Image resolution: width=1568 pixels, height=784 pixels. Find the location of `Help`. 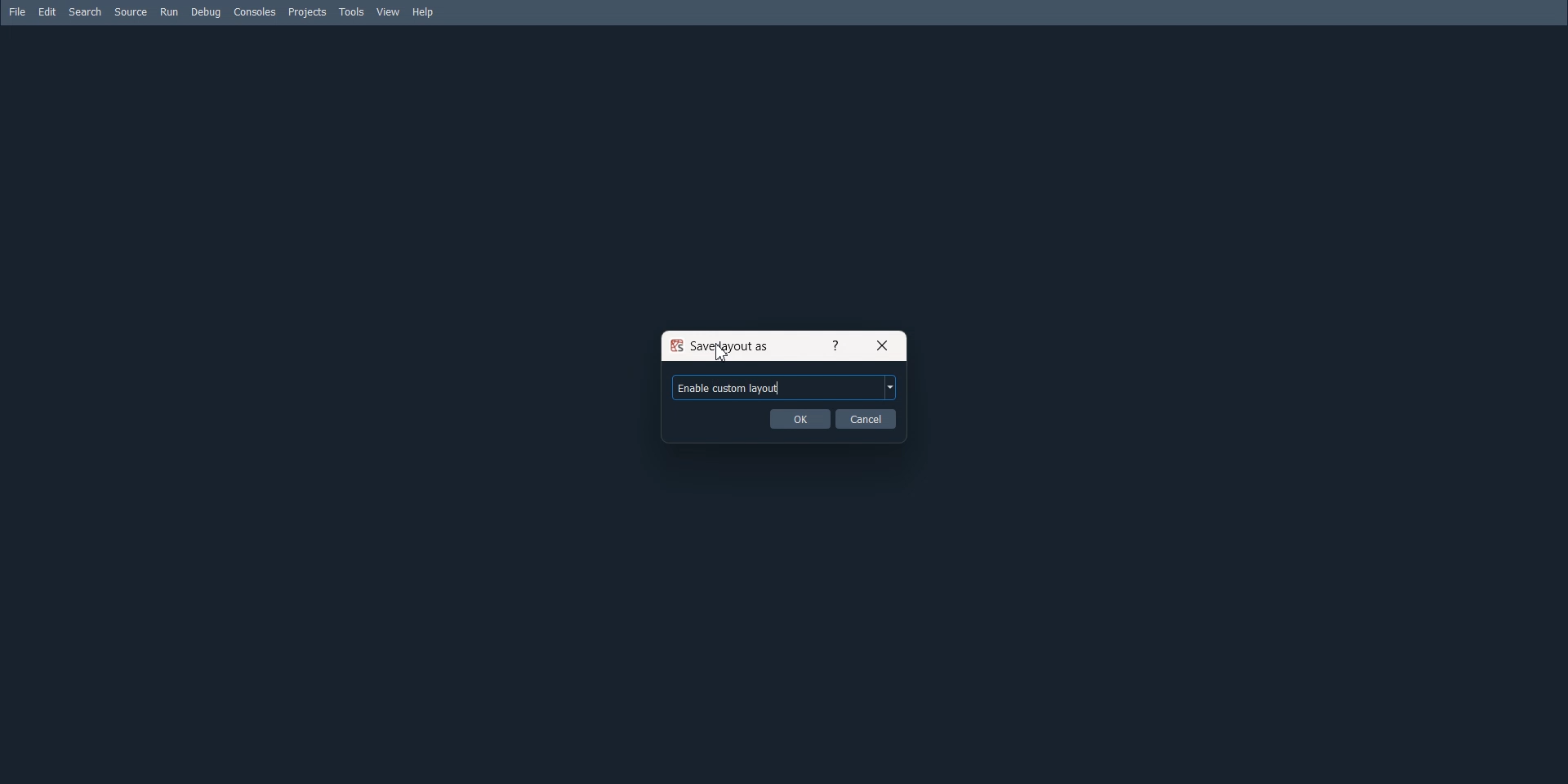

Help is located at coordinates (834, 345).